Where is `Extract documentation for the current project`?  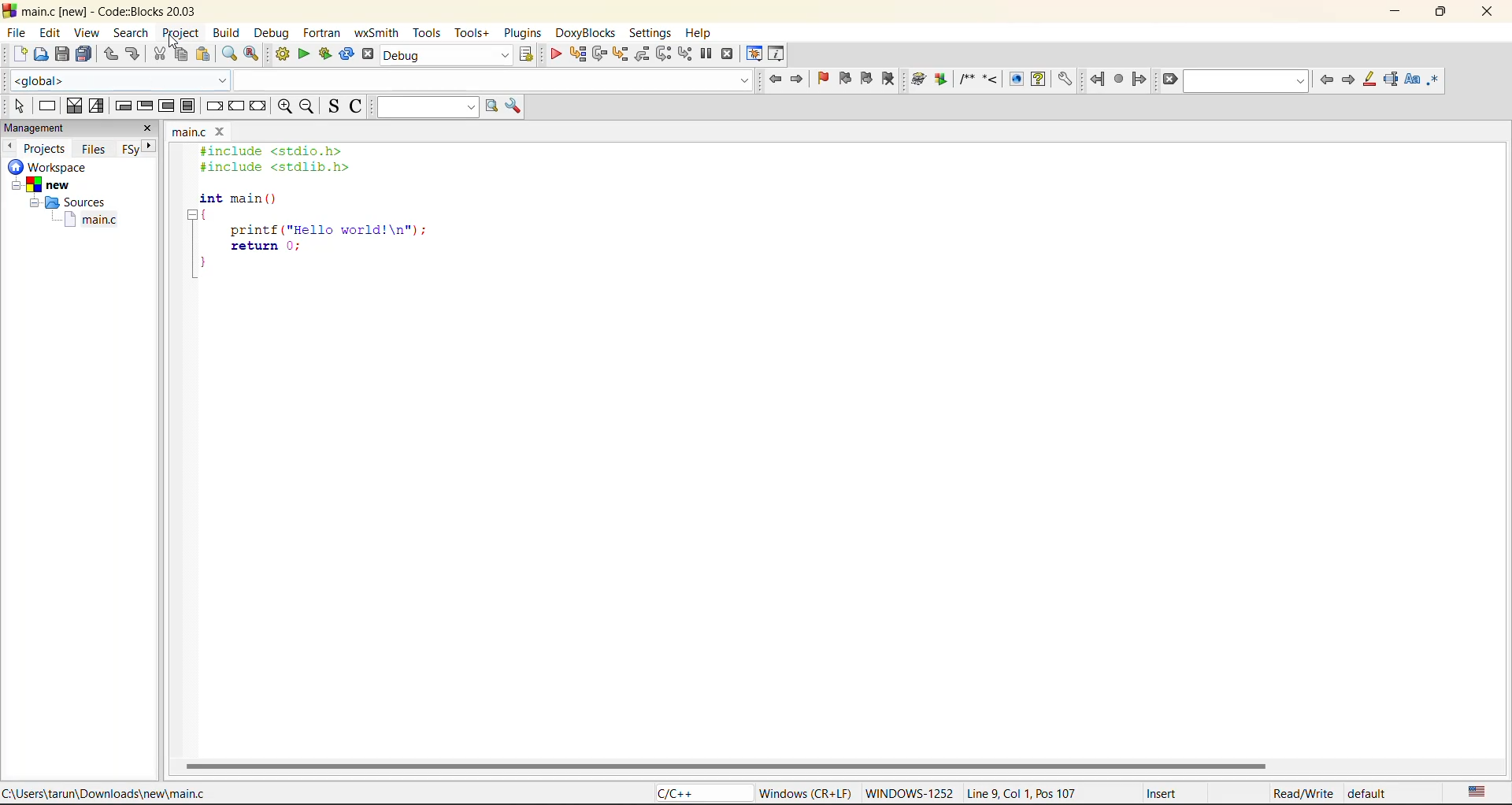 Extract documentation for the current project is located at coordinates (941, 80).